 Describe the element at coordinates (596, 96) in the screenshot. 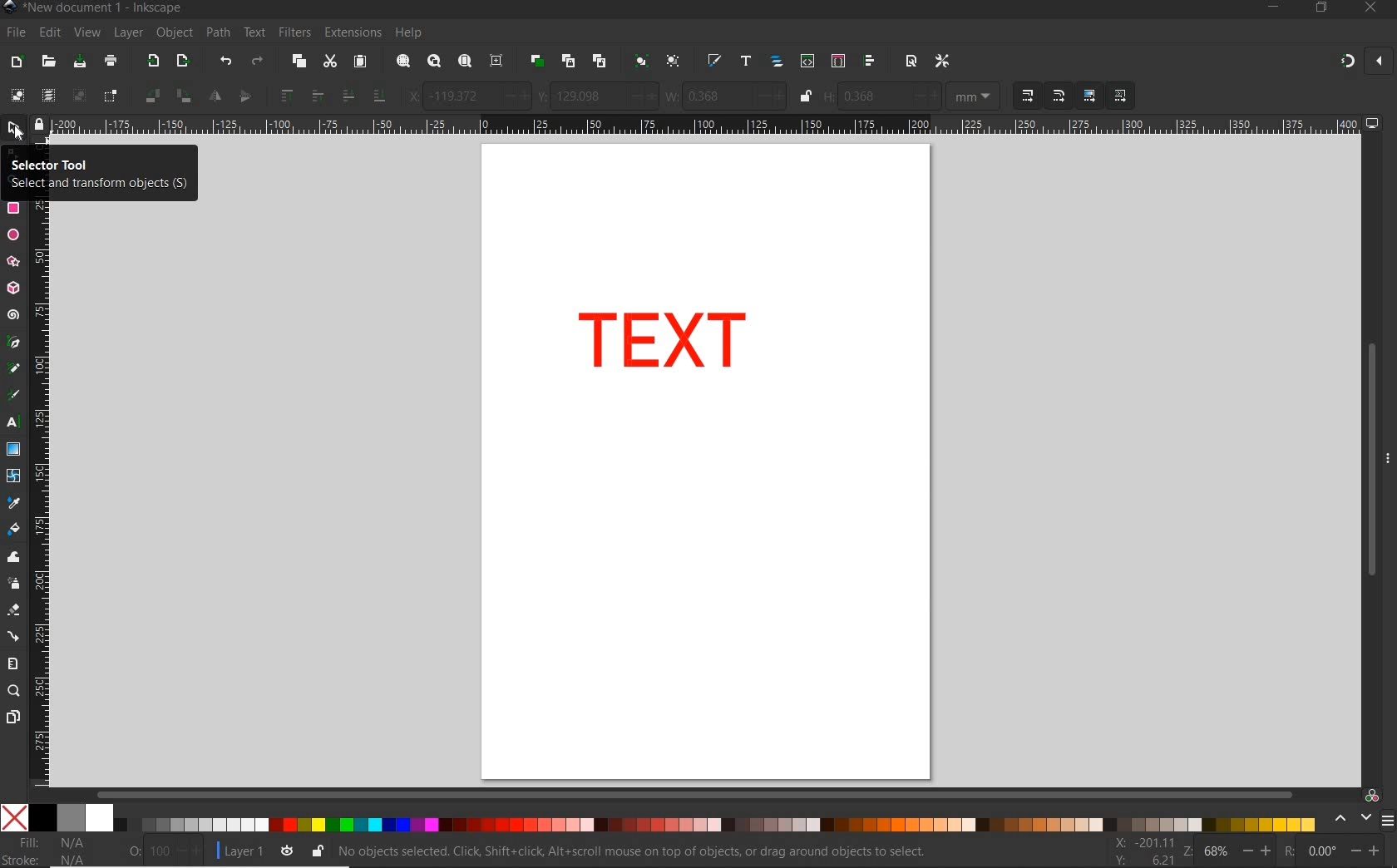

I see `VERTICAL COORDINATE OF SELECTION` at that location.